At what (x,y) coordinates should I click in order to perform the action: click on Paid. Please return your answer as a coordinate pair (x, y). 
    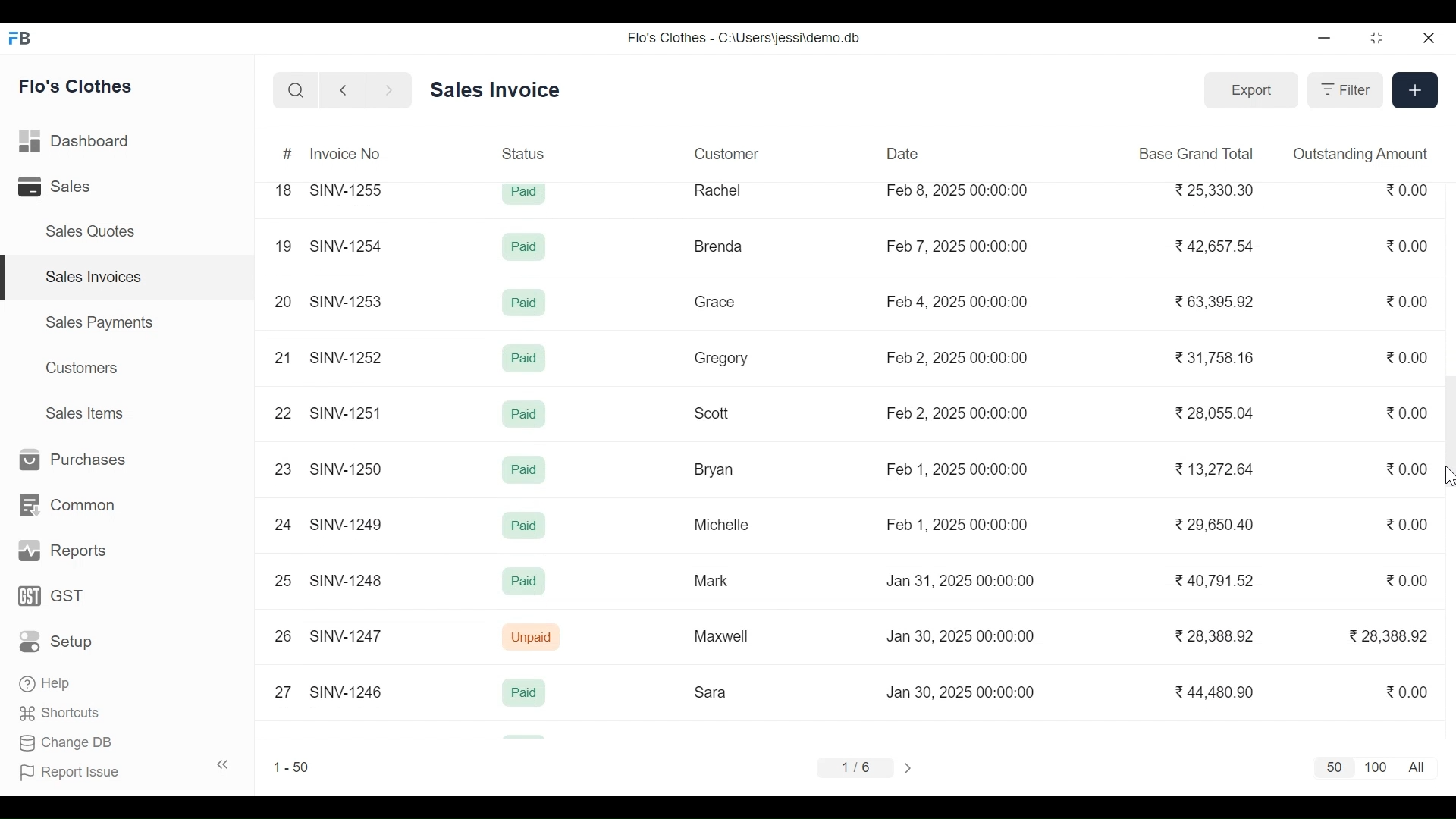
    Looking at the image, I should click on (526, 249).